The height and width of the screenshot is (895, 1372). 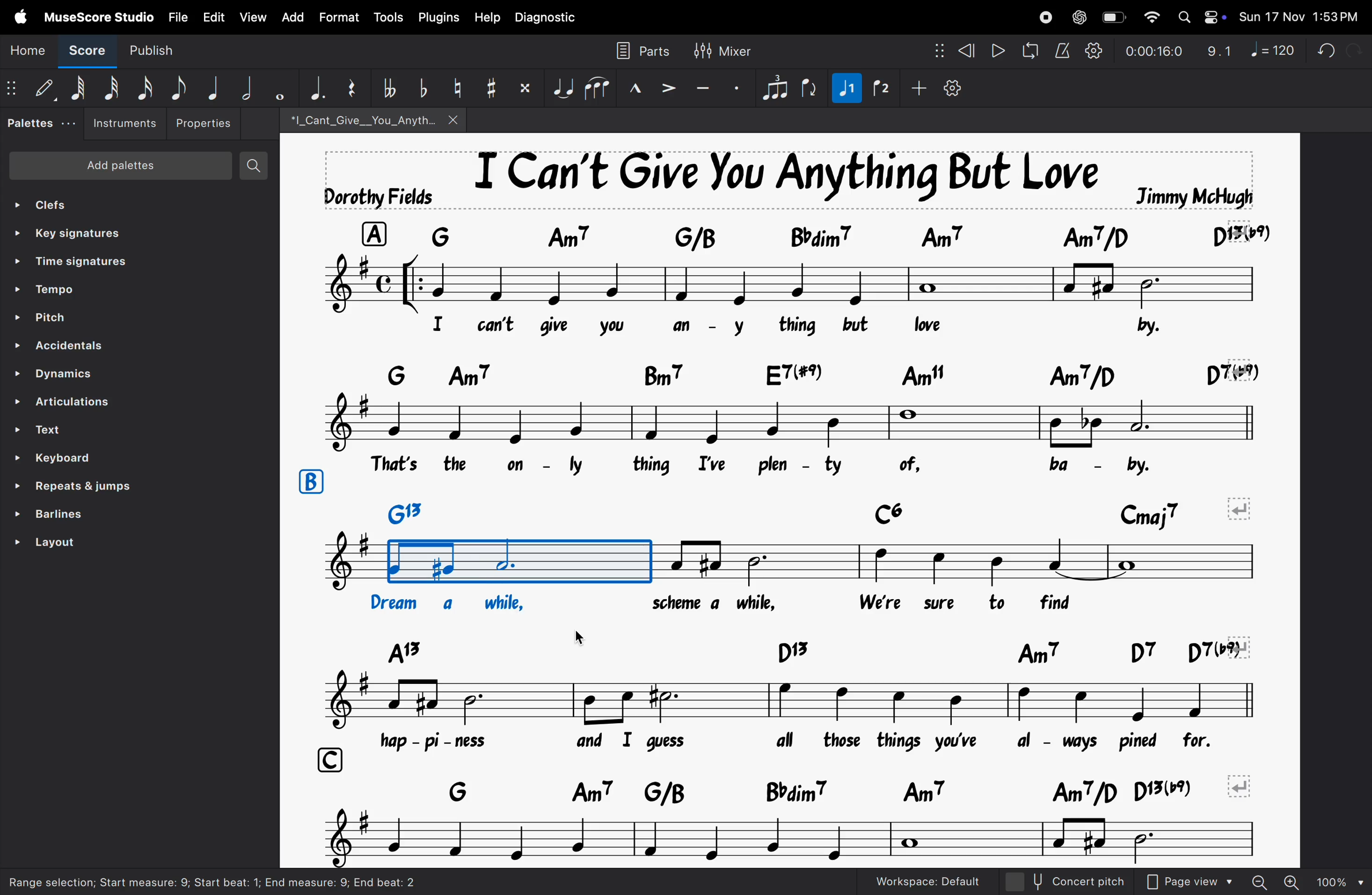 What do you see at coordinates (61, 345) in the screenshot?
I see `Accenditial` at bounding box center [61, 345].